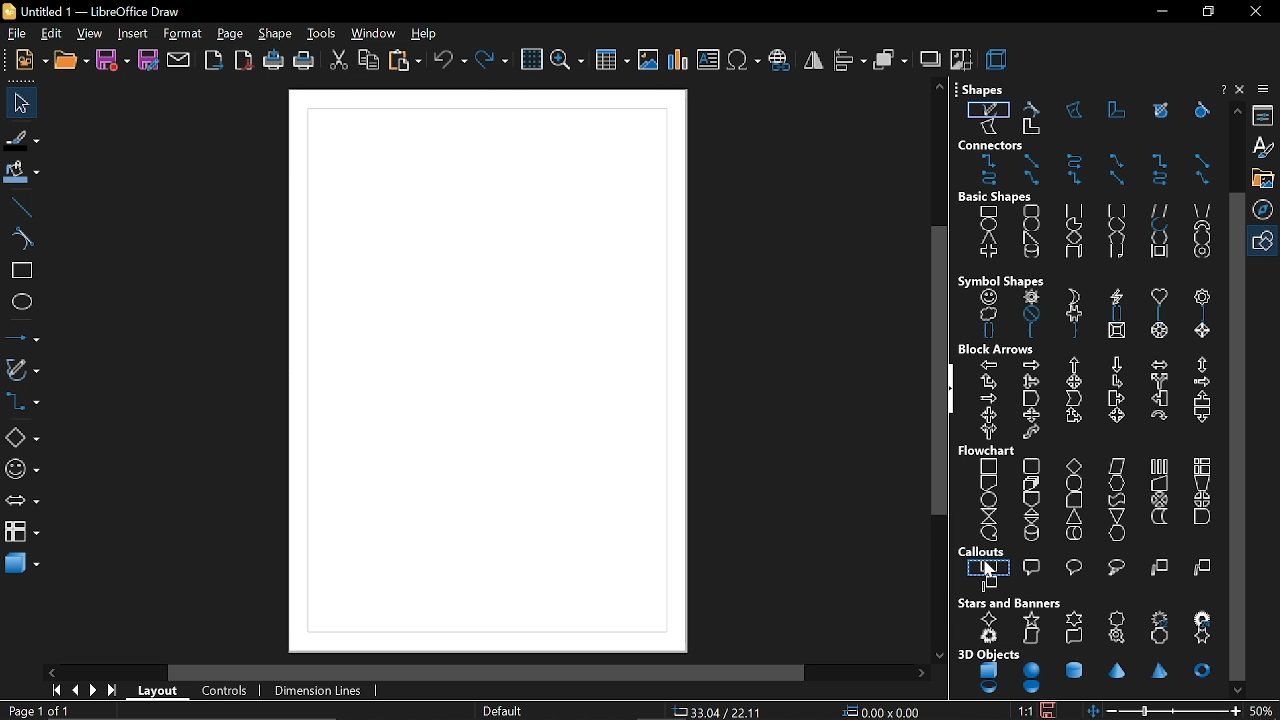  Describe the element at coordinates (1076, 365) in the screenshot. I see `up arrow` at that location.